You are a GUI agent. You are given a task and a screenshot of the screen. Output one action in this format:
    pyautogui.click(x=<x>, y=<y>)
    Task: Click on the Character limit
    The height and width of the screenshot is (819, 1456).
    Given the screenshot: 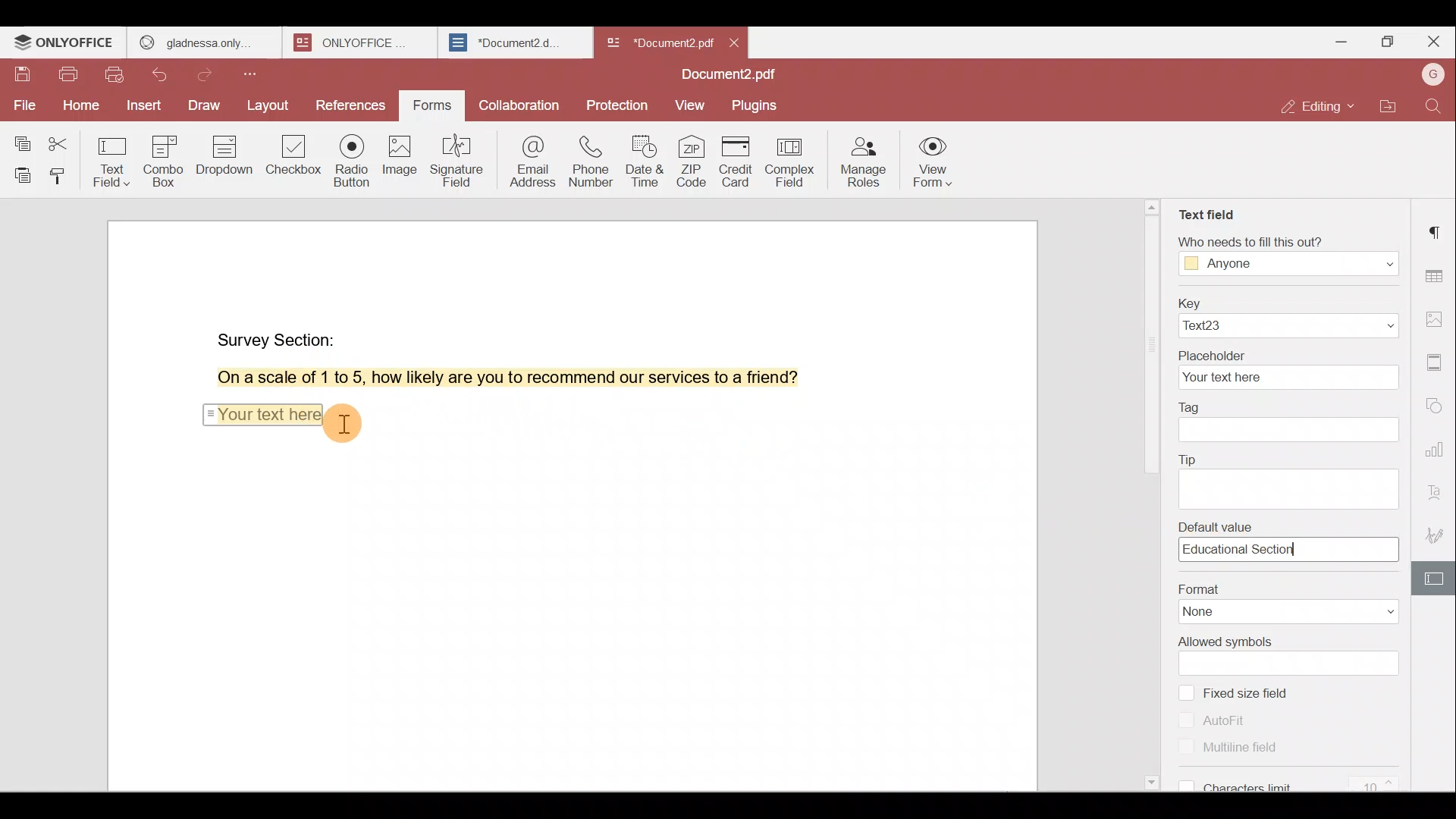 What is the action you would take?
    pyautogui.click(x=1298, y=777)
    